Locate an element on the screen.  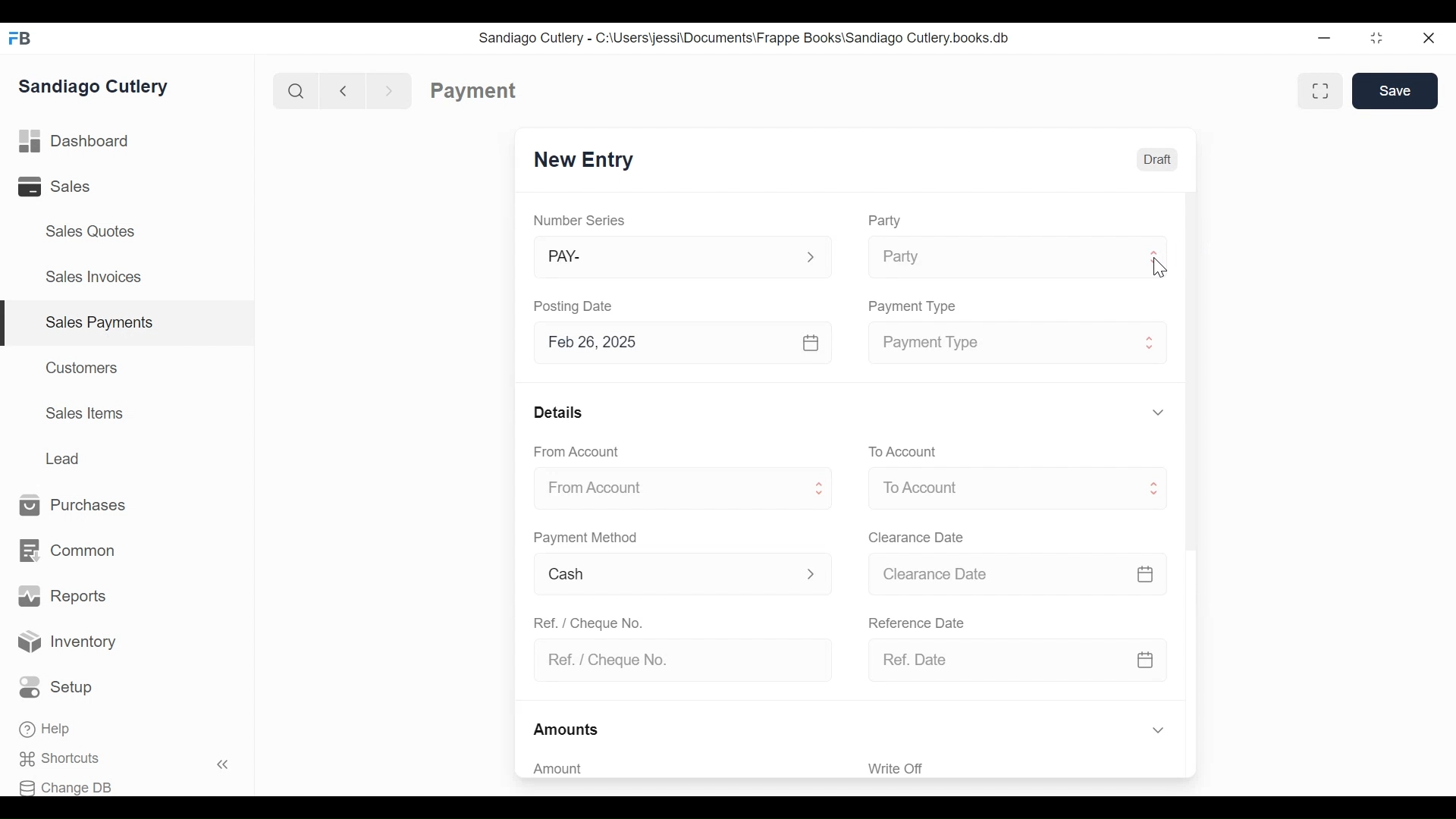
Cash is located at coordinates (665, 575).